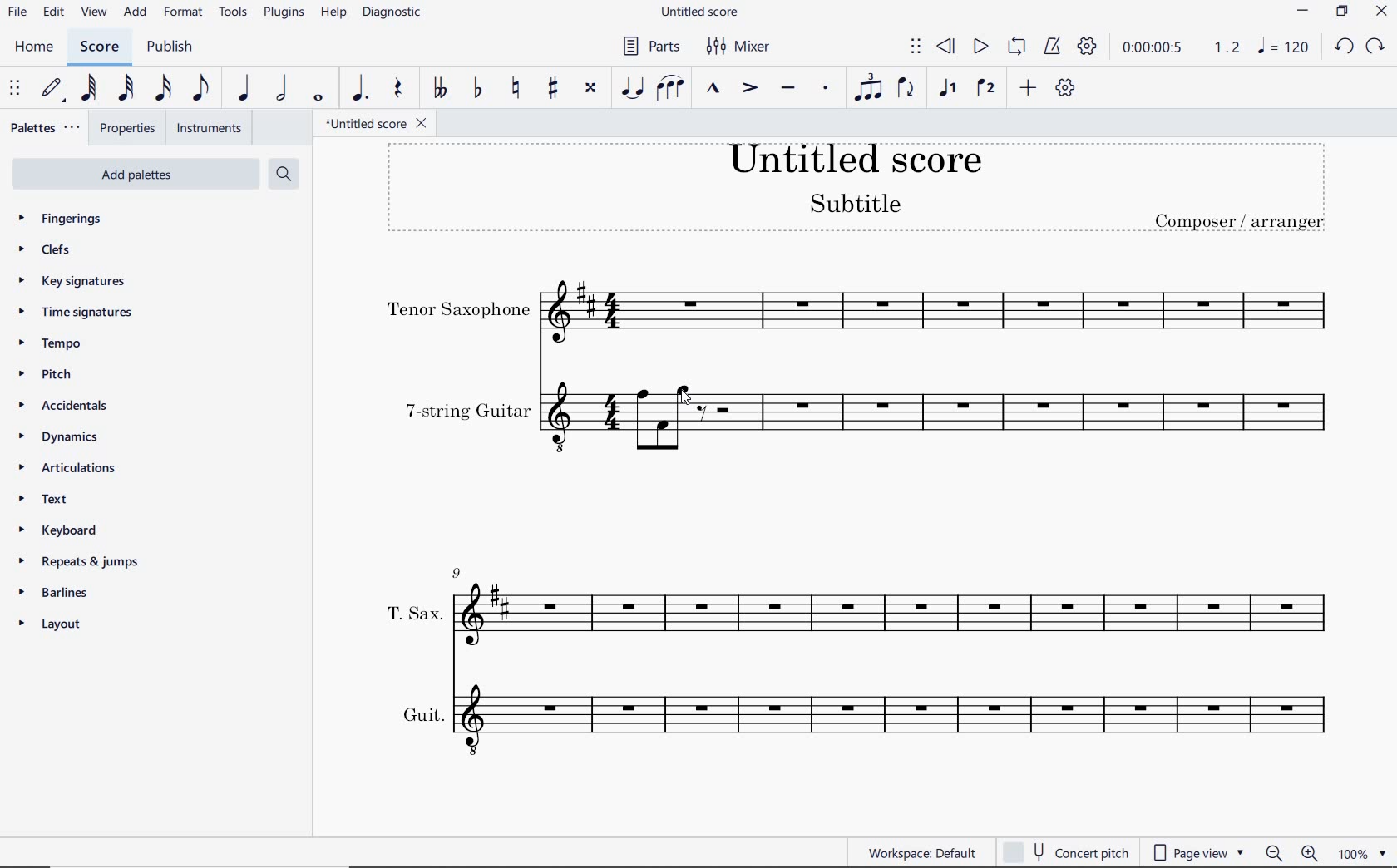 The image size is (1397, 868). I want to click on FILE, so click(17, 14).